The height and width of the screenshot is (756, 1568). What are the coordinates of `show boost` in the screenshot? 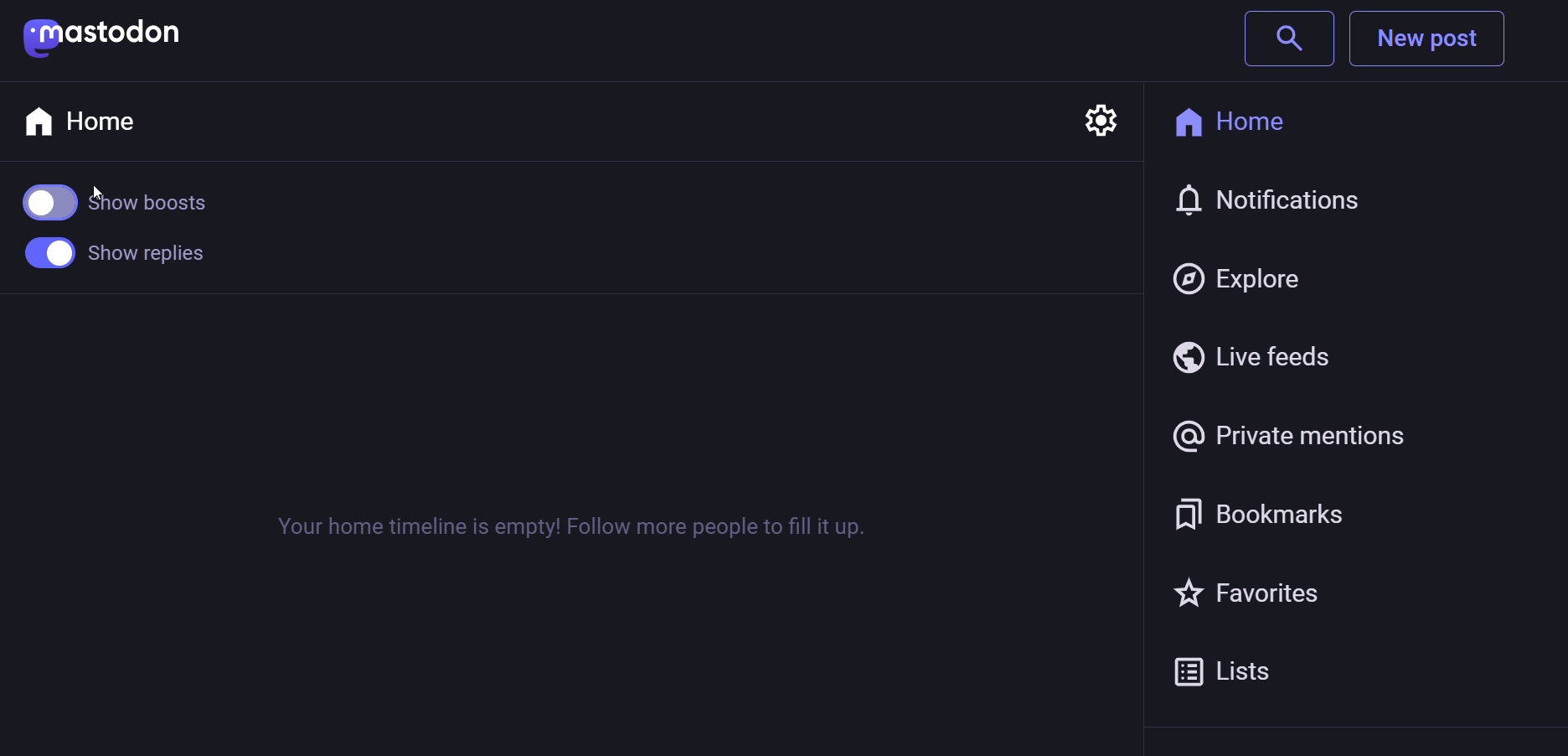 It's located at (131, 204).